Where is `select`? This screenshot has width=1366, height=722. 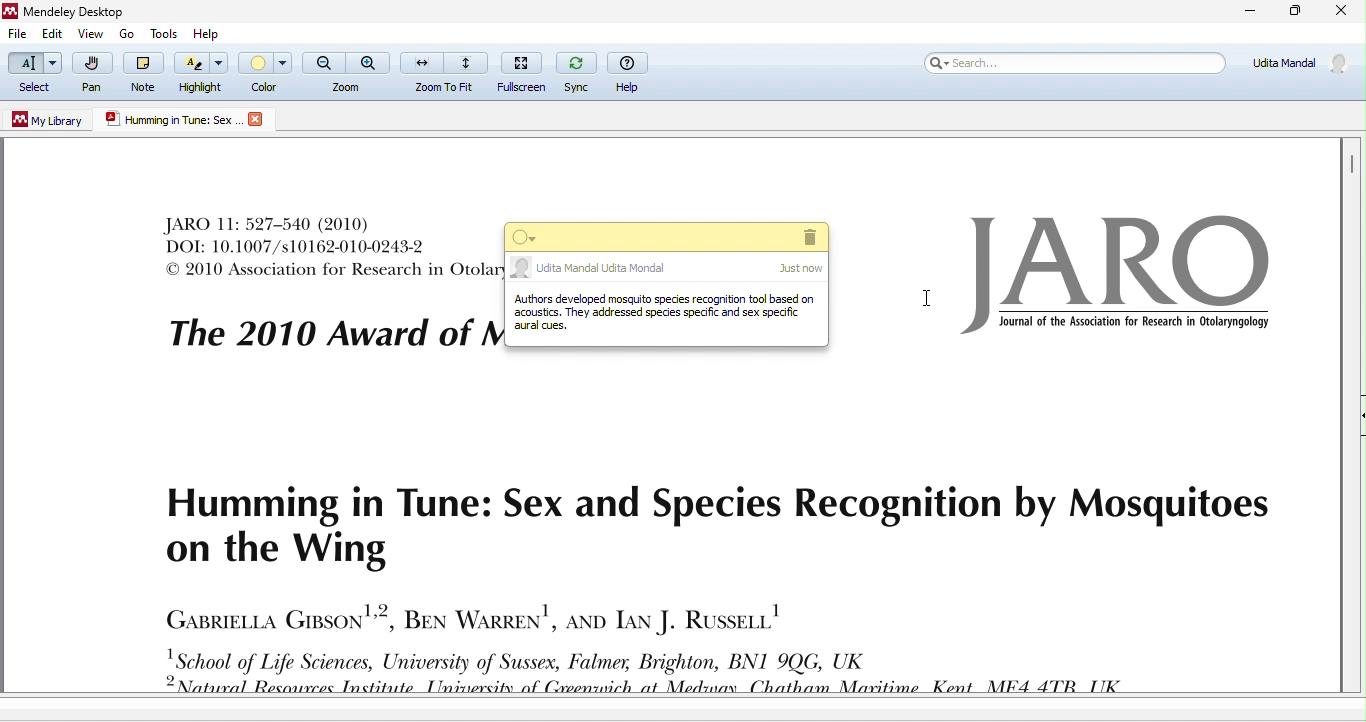 select is located at coordinates (36, 73).